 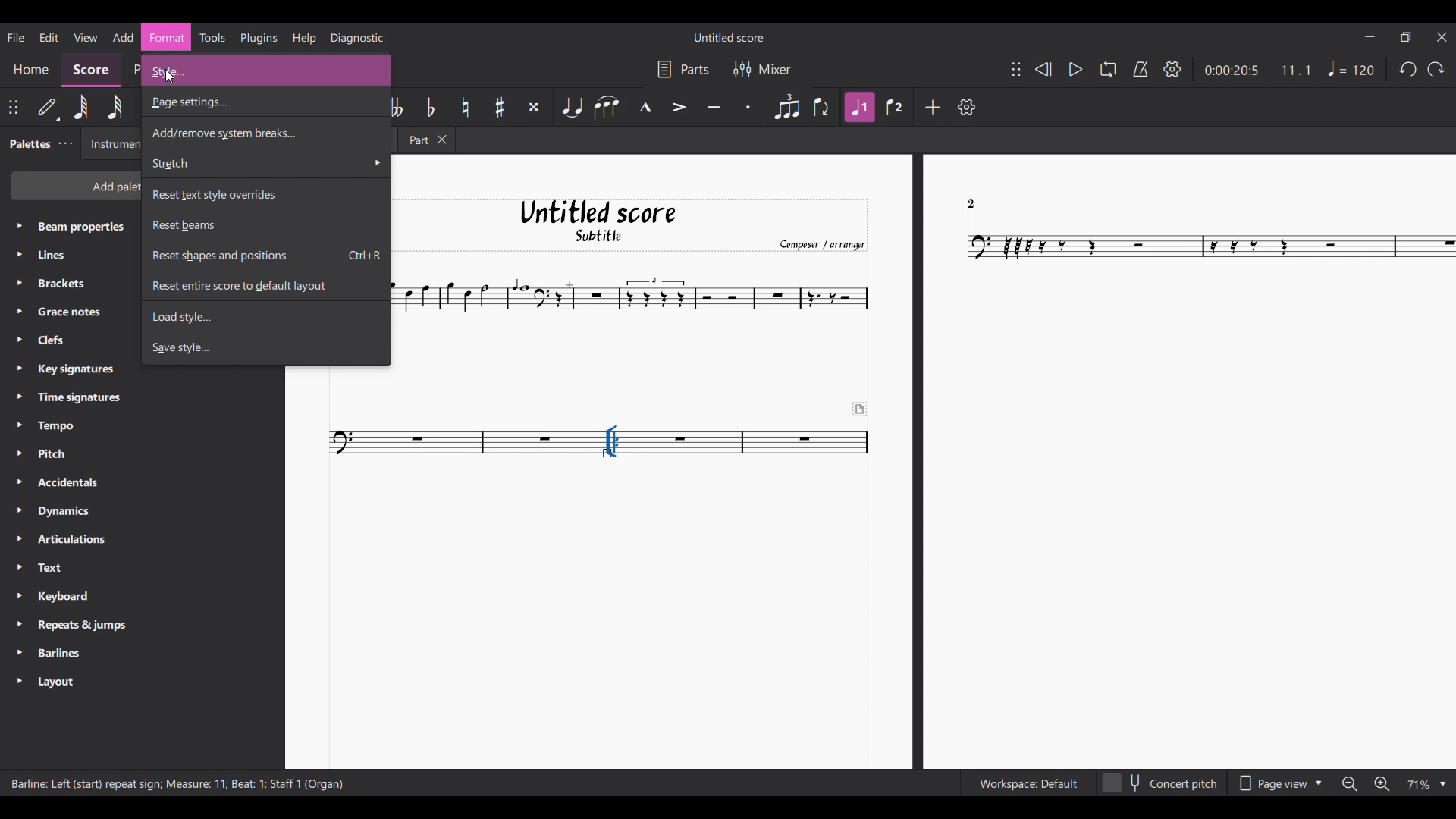 I want to click on File menu, so click(x=16, y=38).